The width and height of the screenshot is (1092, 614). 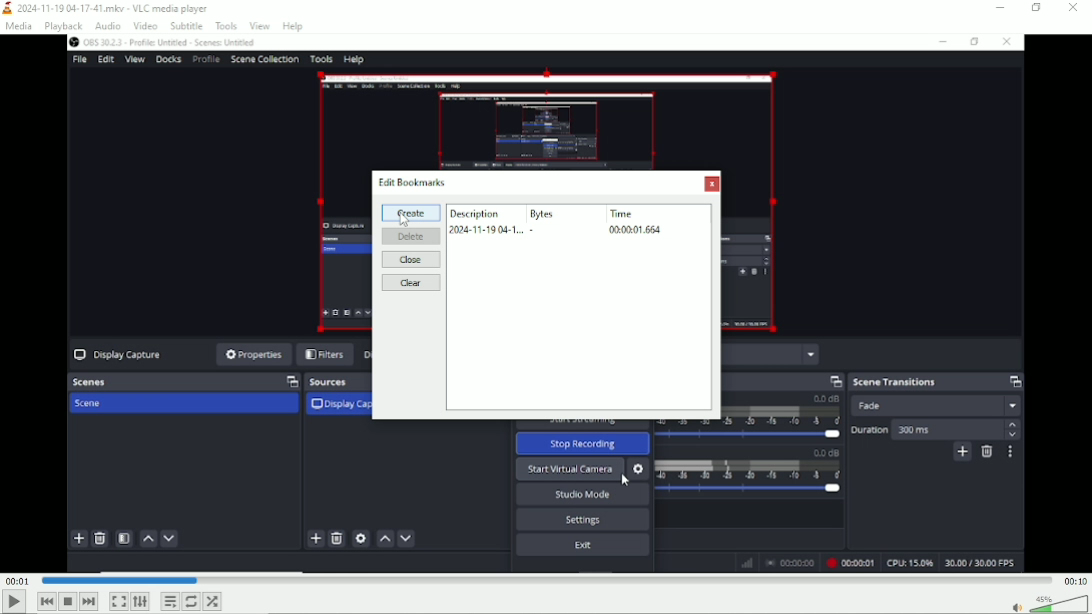 I want to click on 2024-11-19 04-1, so click(x=492, y=230).